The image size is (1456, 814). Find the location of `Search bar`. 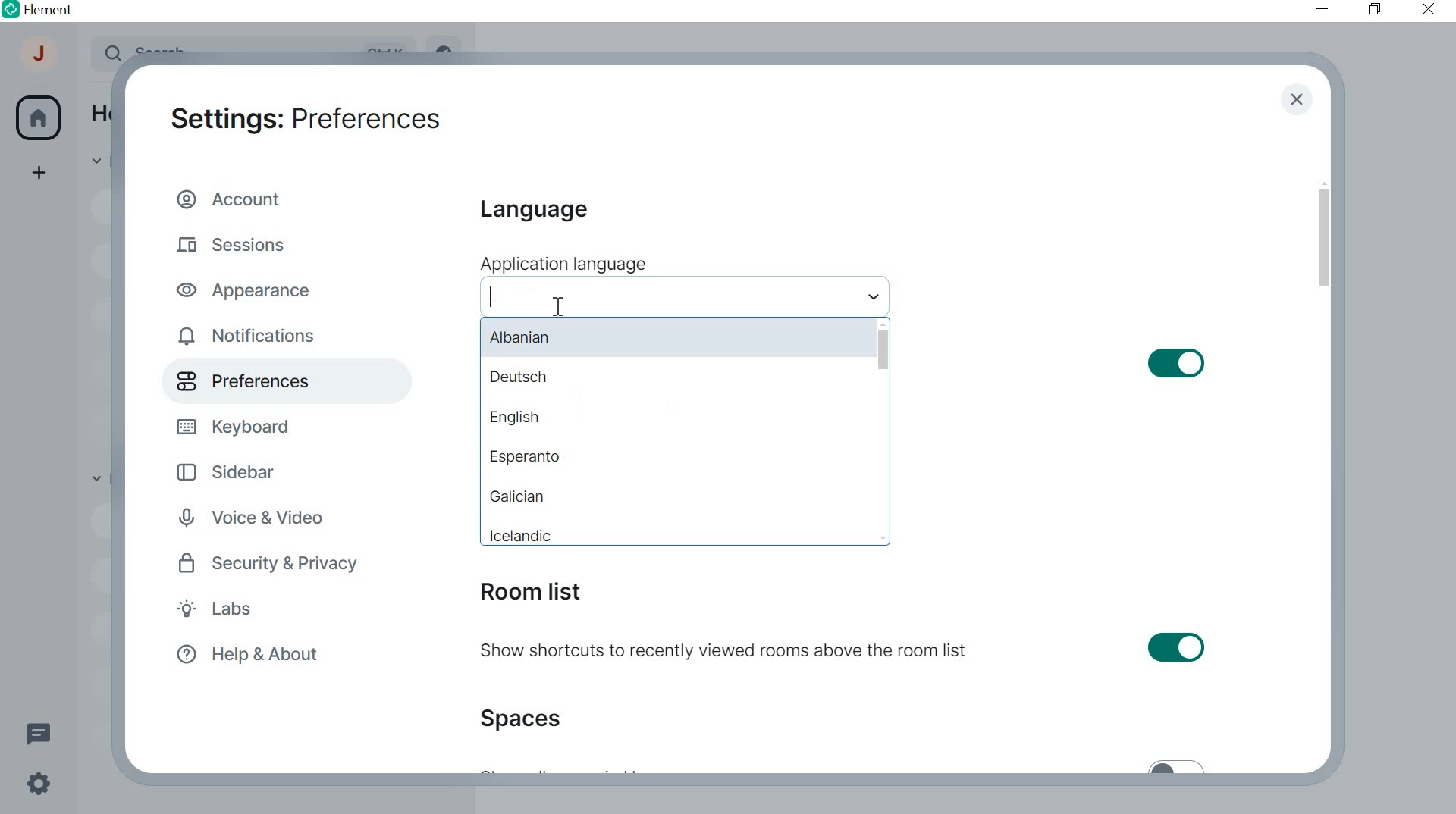

Search bar is located at coordinates (684, 296).